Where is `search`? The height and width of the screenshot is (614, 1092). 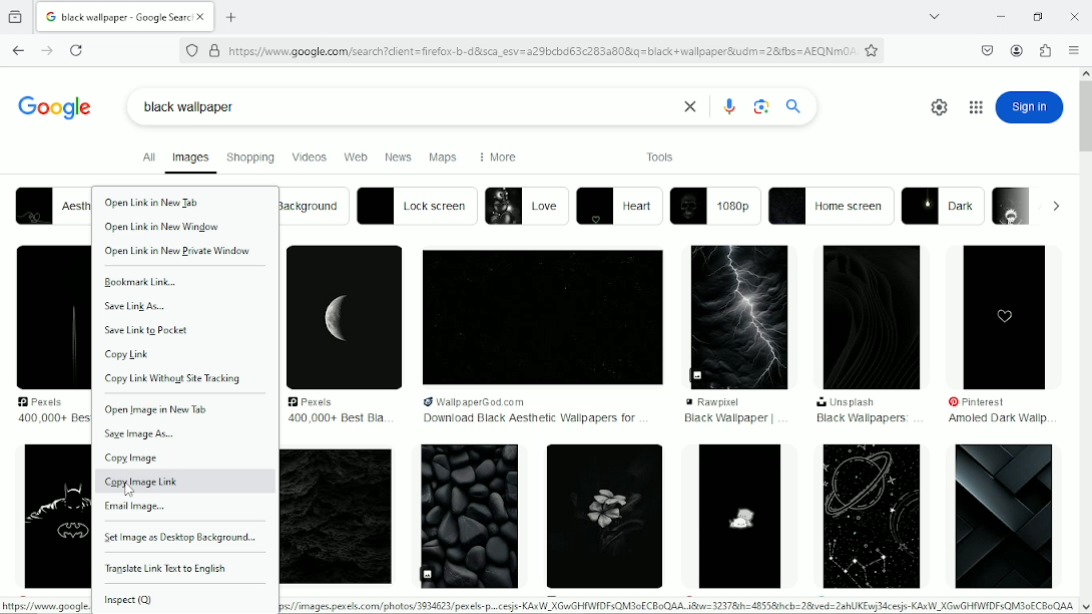
search is located at coordinates (794, 105).